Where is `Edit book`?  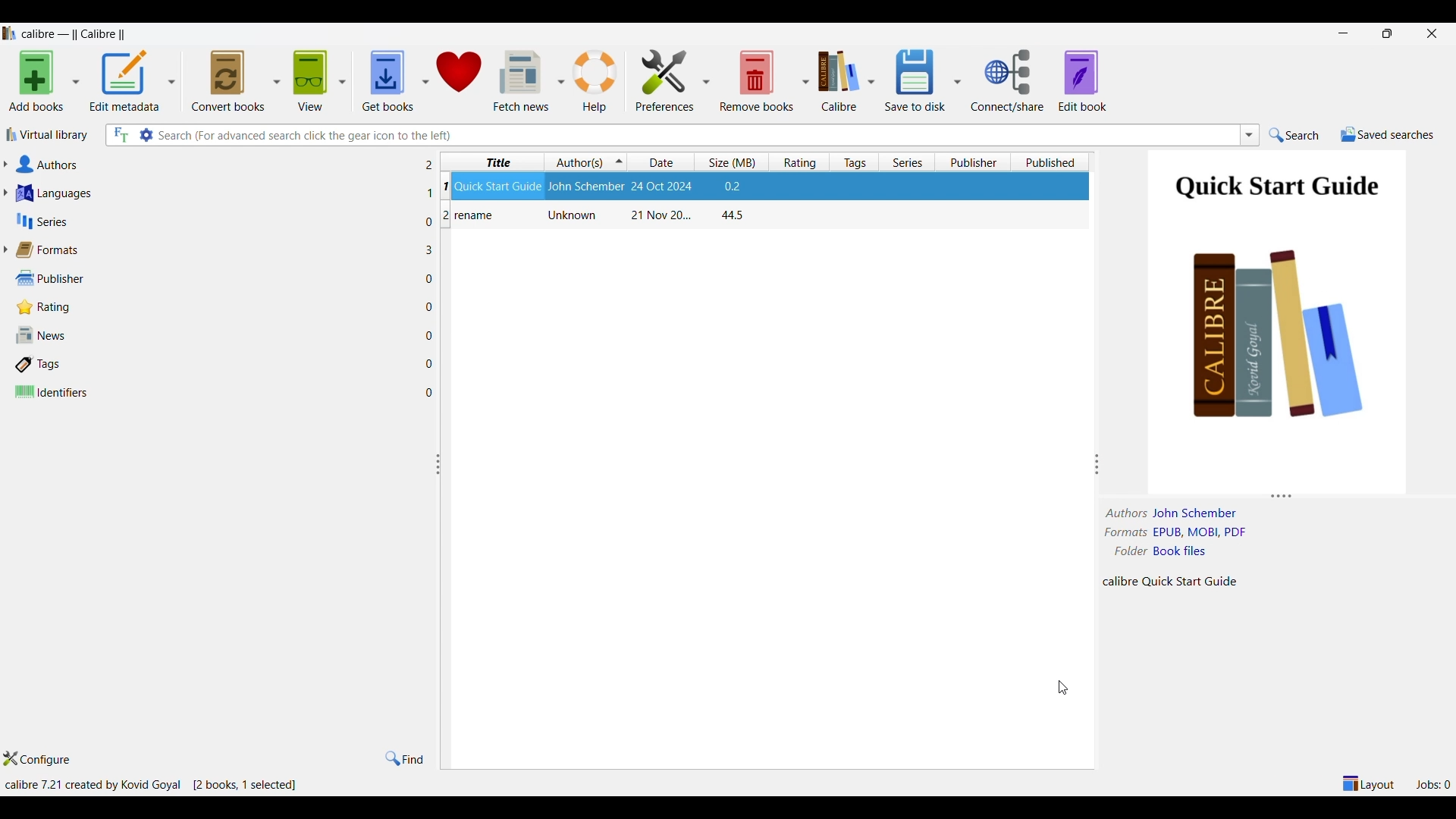 Edit book is located at coordinates (1082, 81).